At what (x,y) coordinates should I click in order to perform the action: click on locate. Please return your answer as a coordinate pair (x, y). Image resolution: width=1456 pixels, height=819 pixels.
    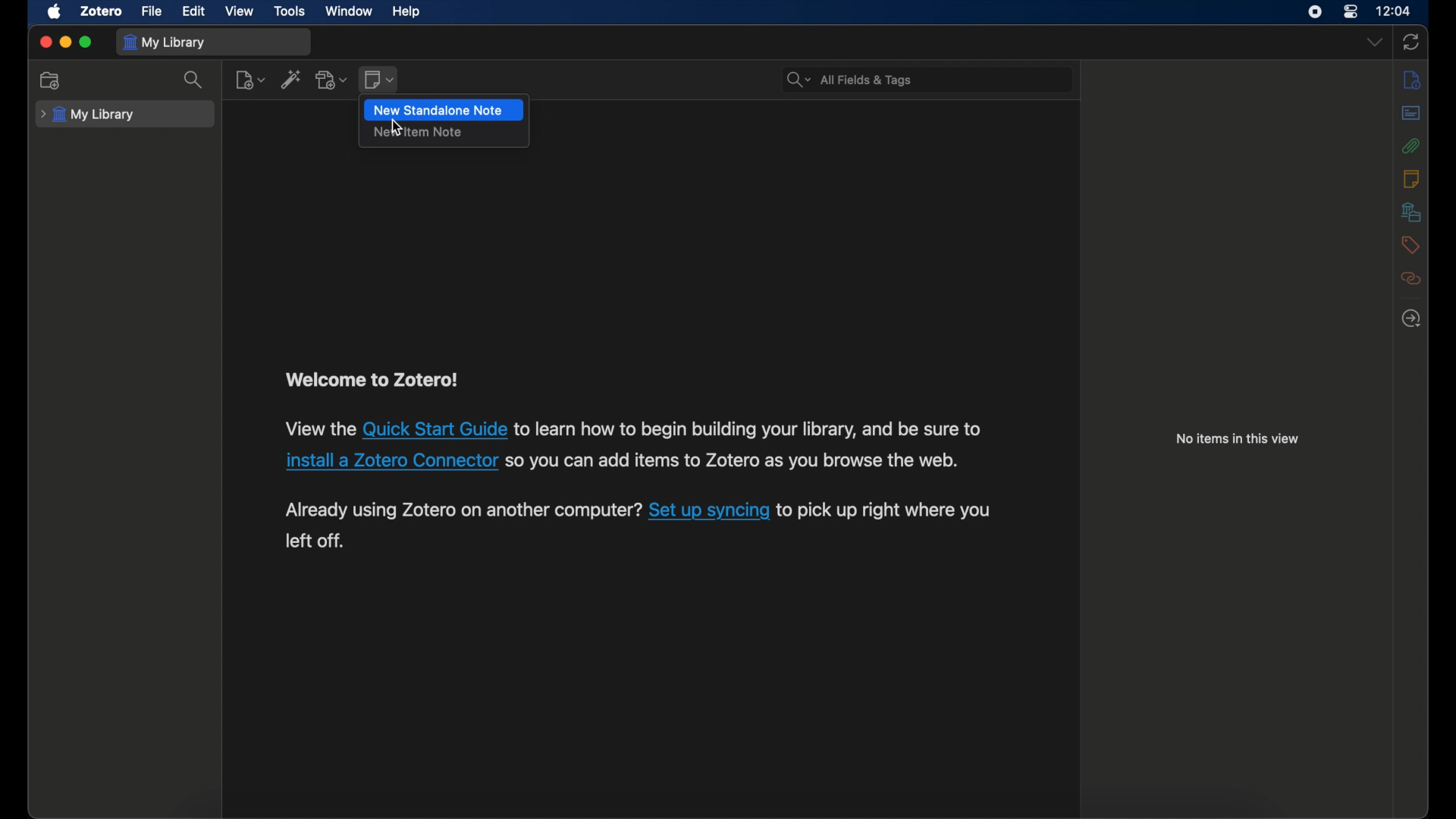
    Looking at the image, I should click on (1411, 318).